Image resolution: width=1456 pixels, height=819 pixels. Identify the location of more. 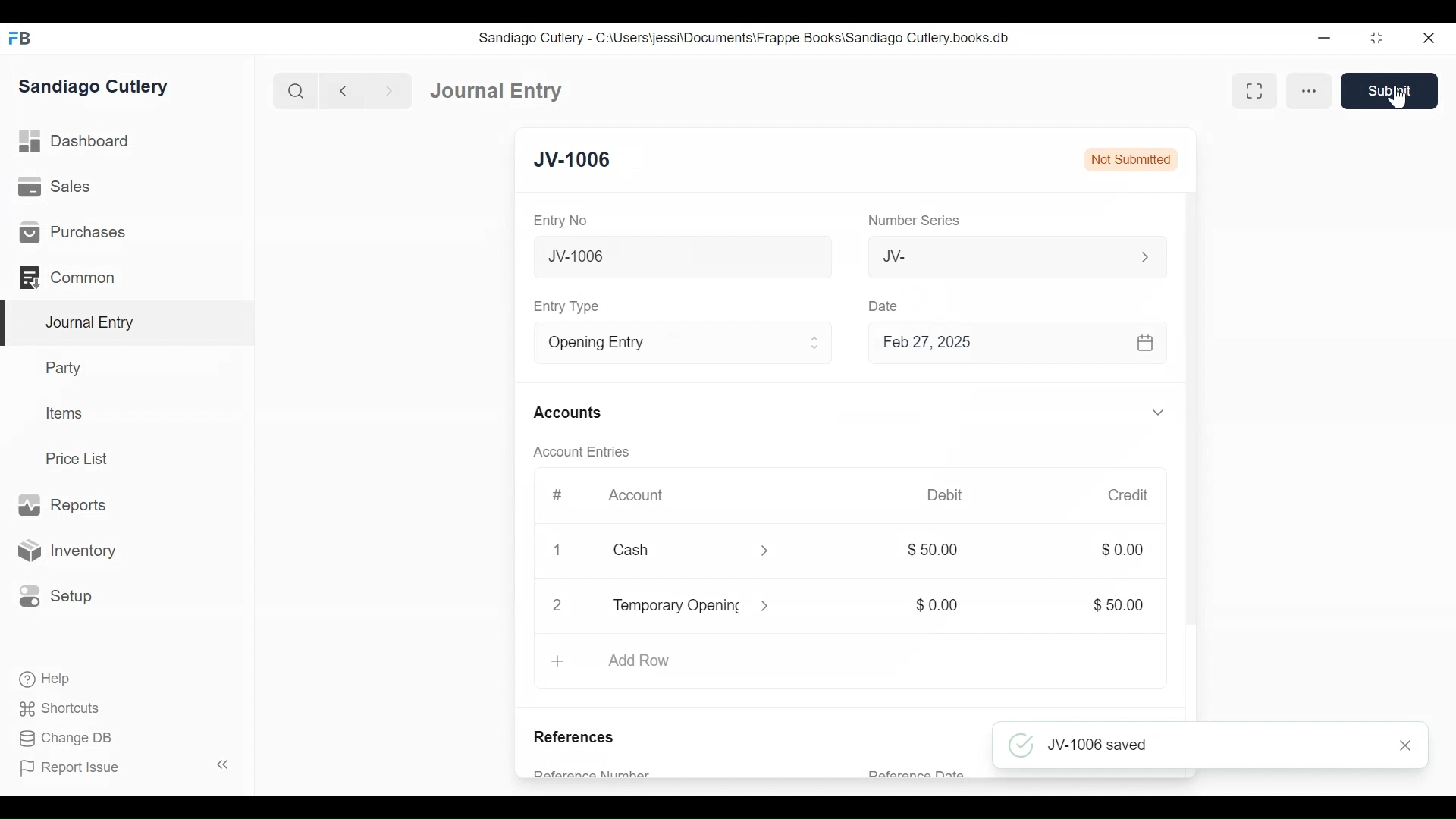
(1309, 91).